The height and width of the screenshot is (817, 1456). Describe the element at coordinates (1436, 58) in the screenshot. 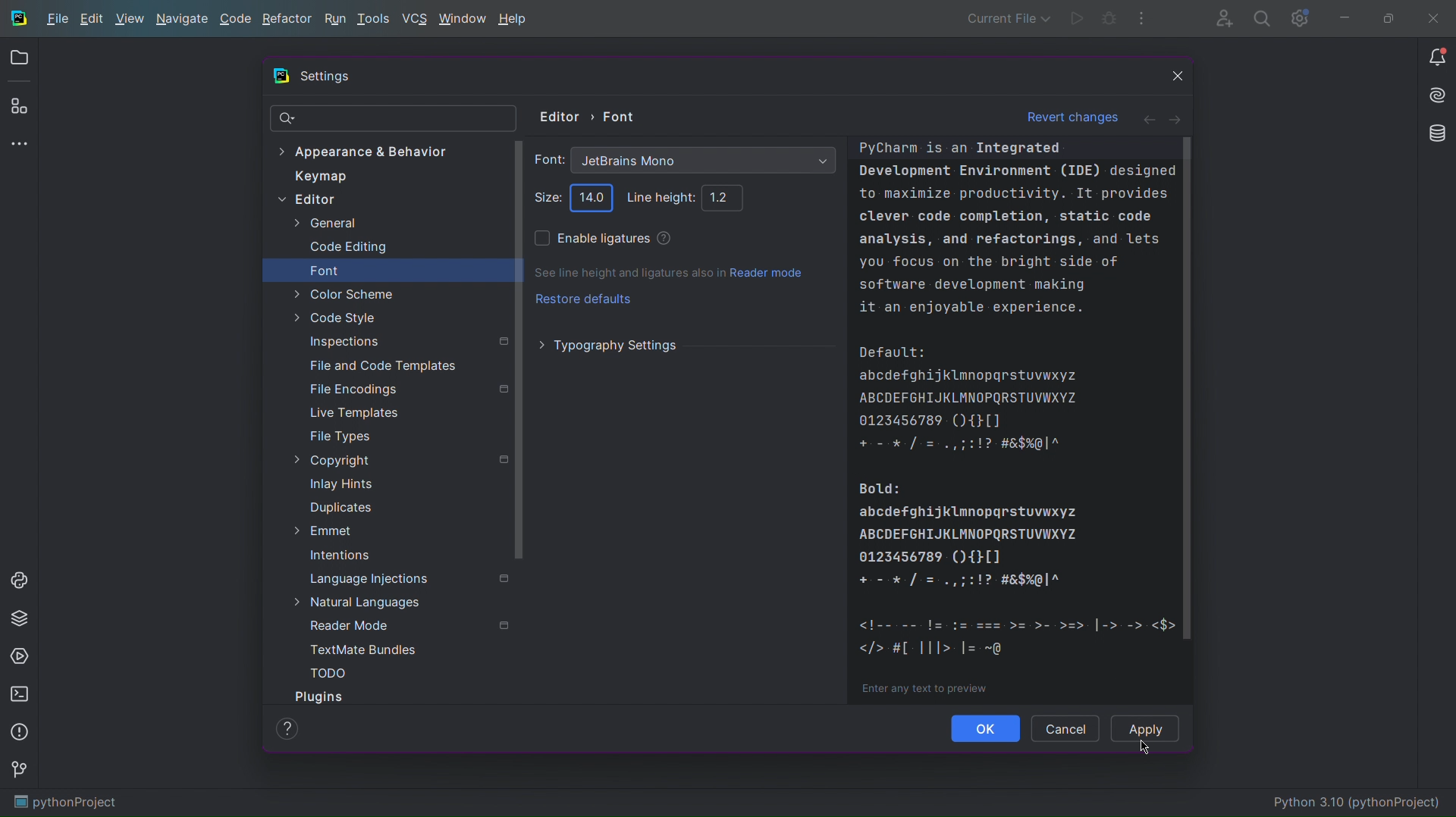

I see `Notifications` at that location.